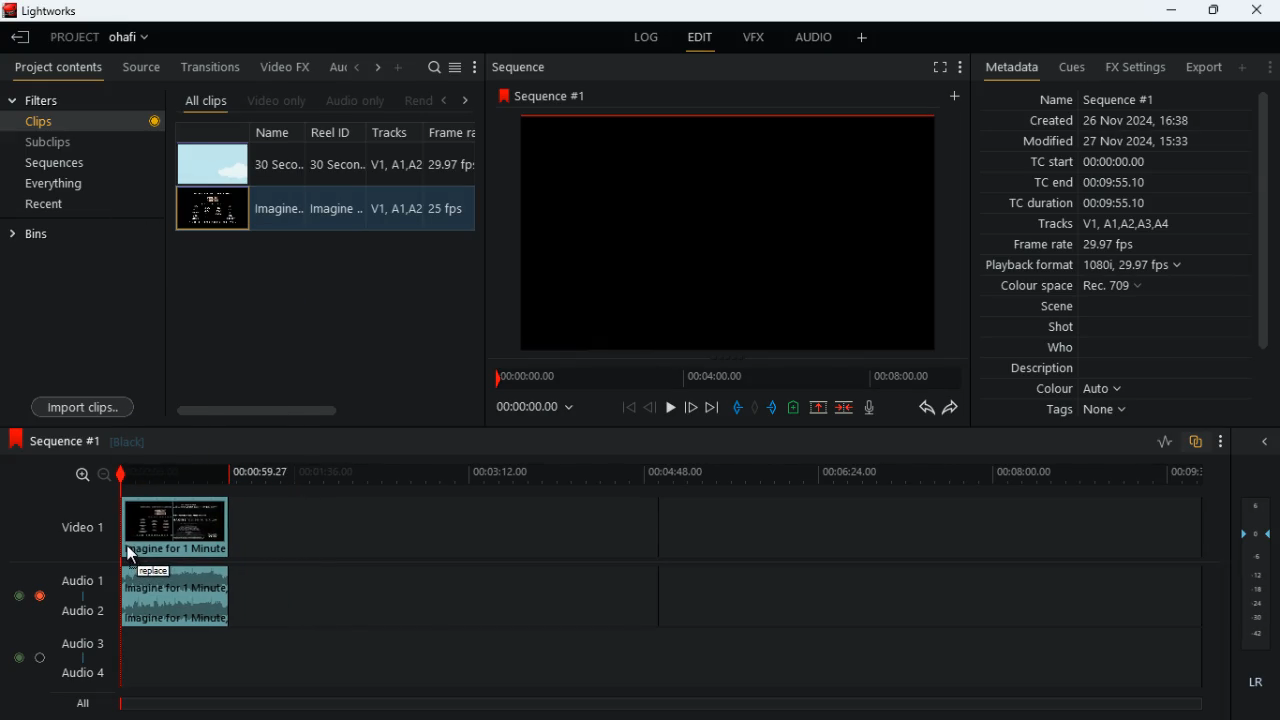  I want to click on reel id, so click(334, 135).